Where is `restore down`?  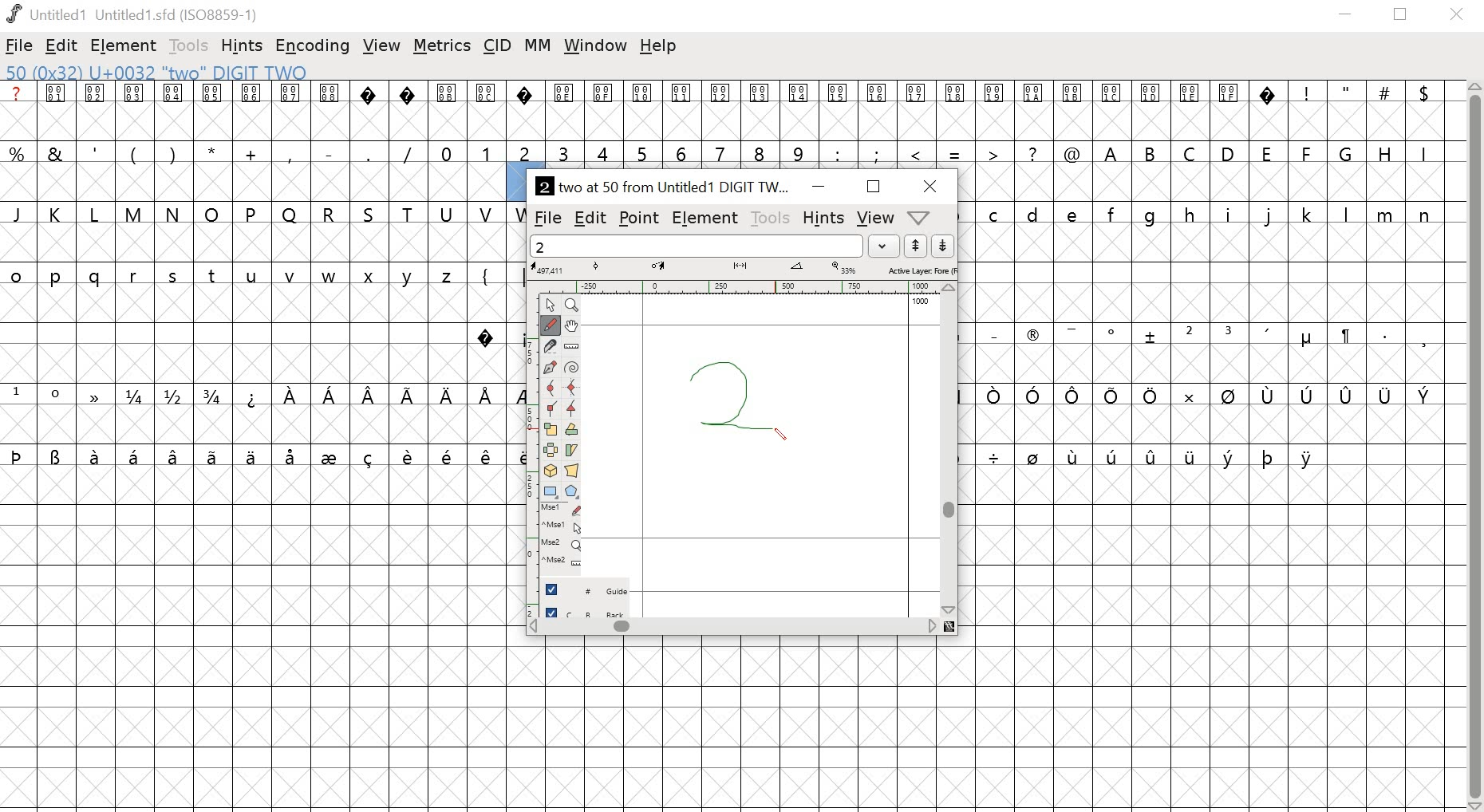
restore down is located at coordinates (1405, 17).